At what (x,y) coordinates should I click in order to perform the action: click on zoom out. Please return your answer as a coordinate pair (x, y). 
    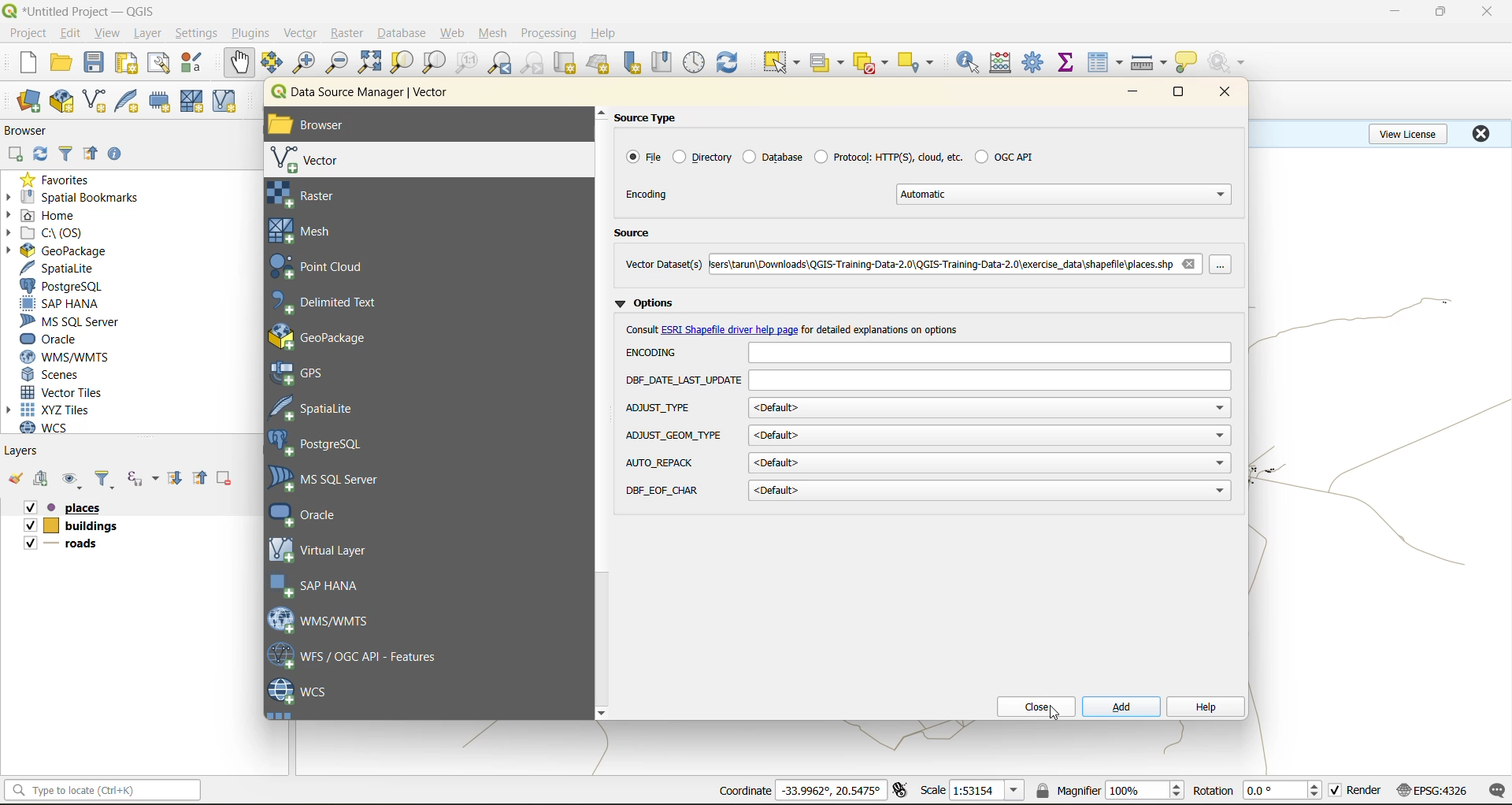
    Looking at the image, I should click on (338, 61).